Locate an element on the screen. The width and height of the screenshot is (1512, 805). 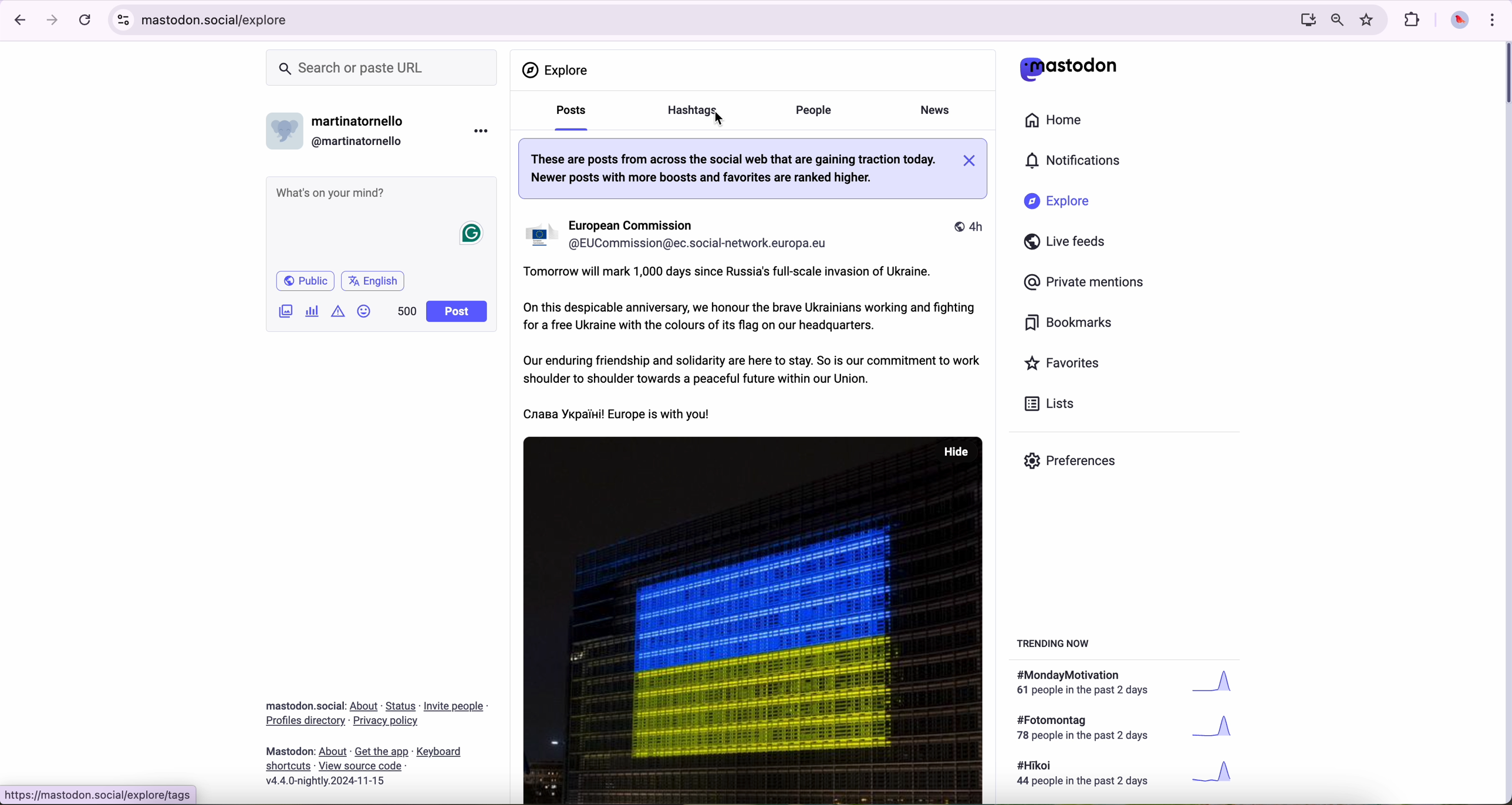
mastodon is located at coordinates (291, 751).